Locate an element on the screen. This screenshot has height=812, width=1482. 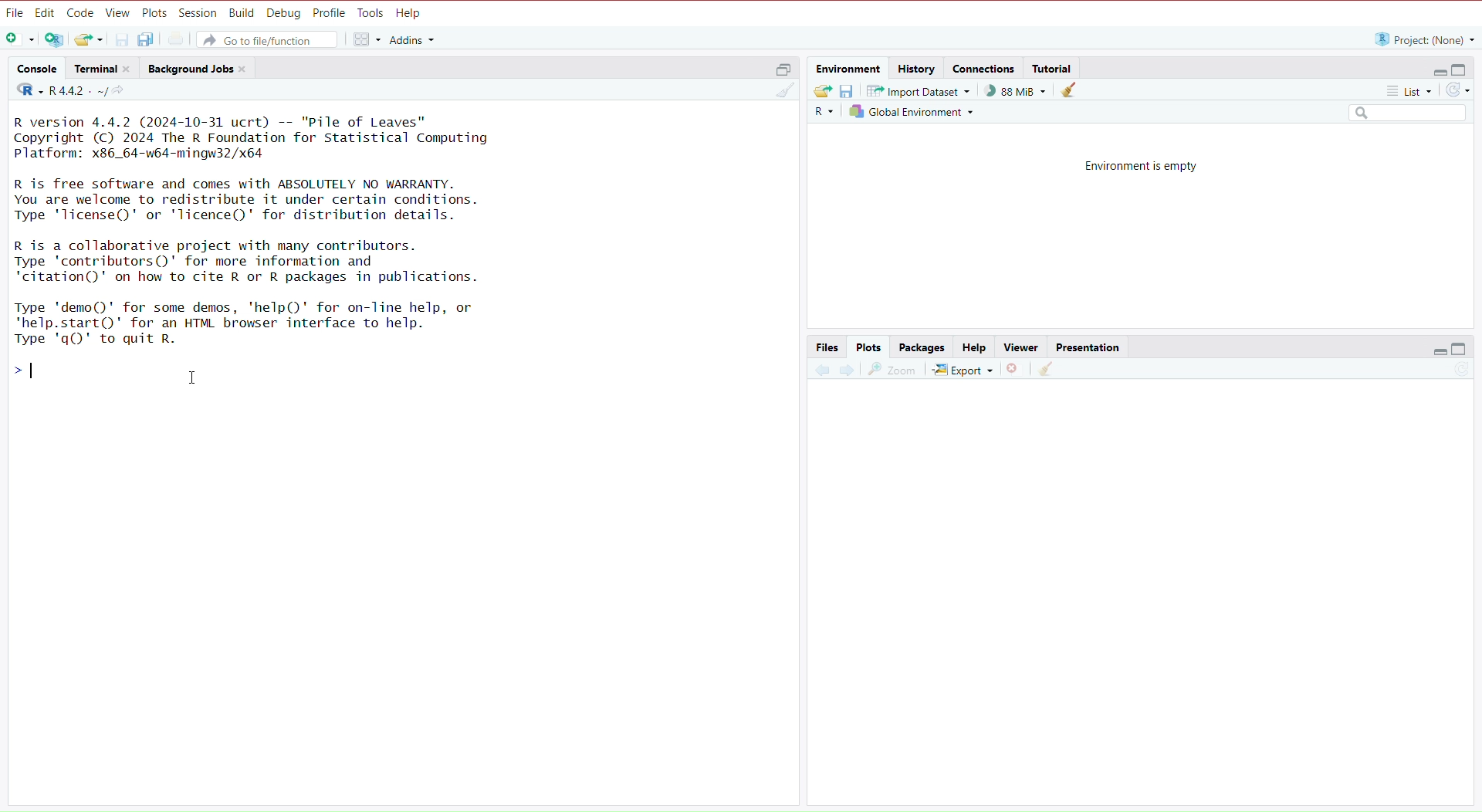
Global Environment is located at coordinates (909, 110).